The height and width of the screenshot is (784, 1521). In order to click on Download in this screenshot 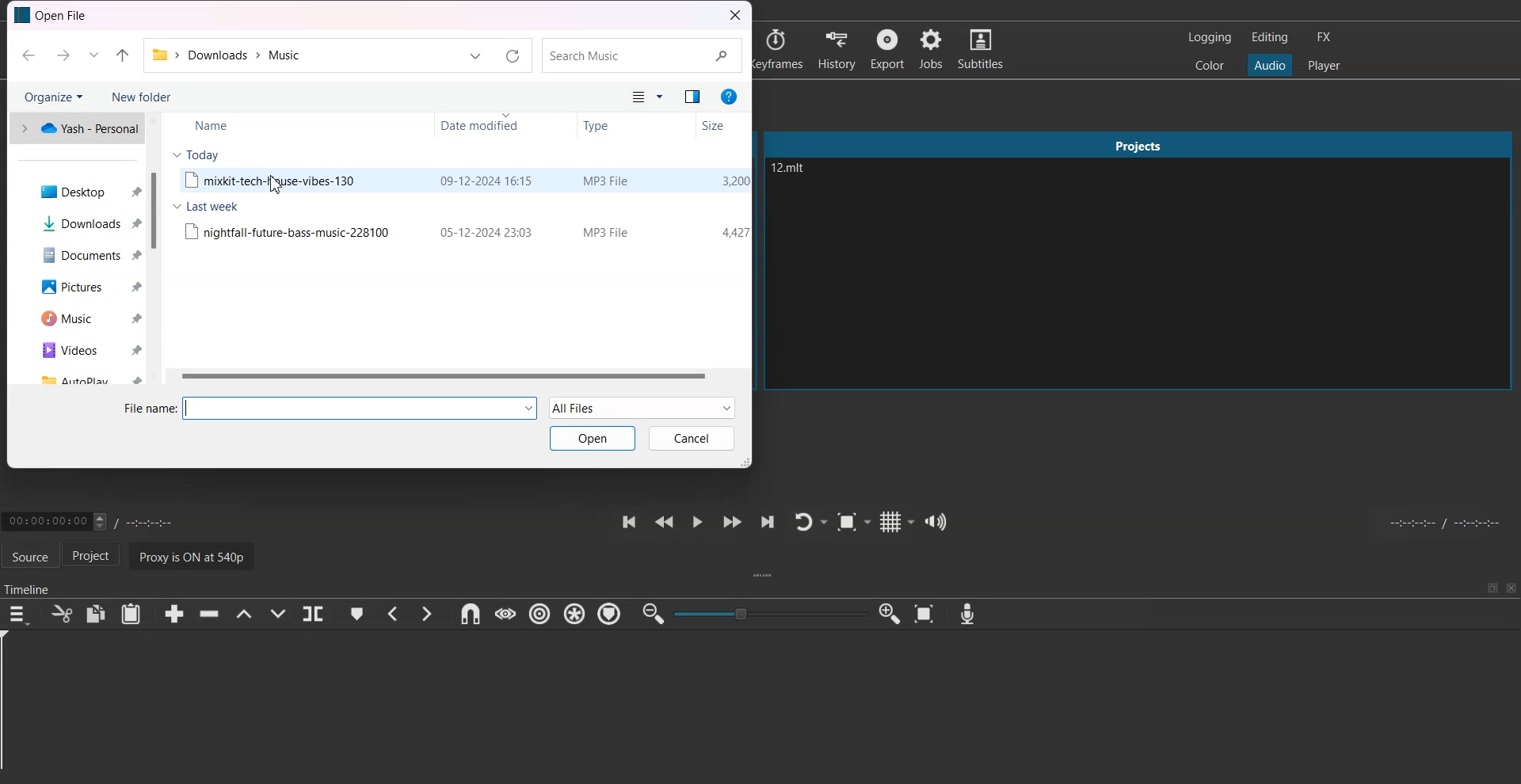, I will do `click(83, 223)`.